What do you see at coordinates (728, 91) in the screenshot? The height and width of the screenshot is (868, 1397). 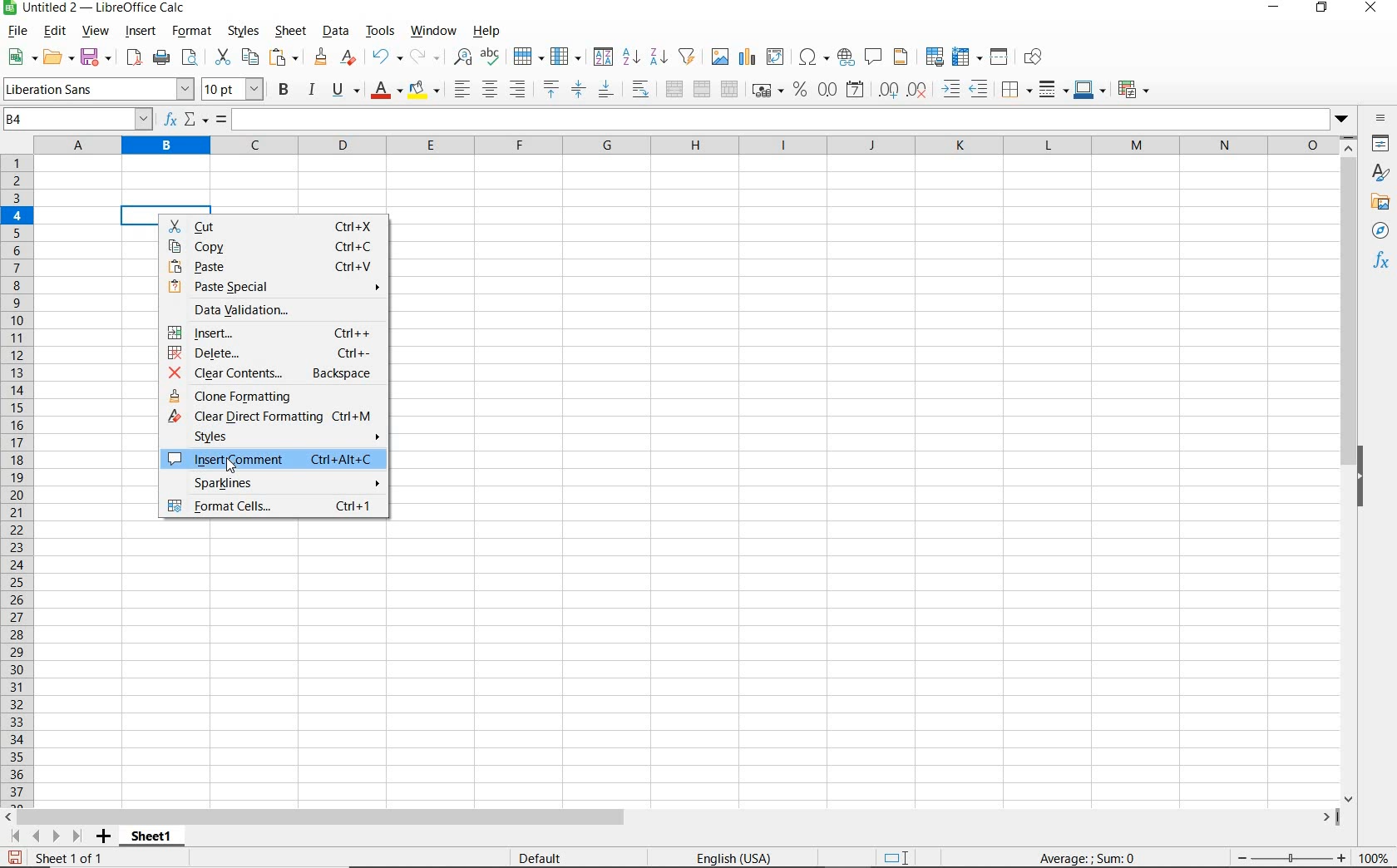 I see `unmerge cells` at bounding box center [728, 91].